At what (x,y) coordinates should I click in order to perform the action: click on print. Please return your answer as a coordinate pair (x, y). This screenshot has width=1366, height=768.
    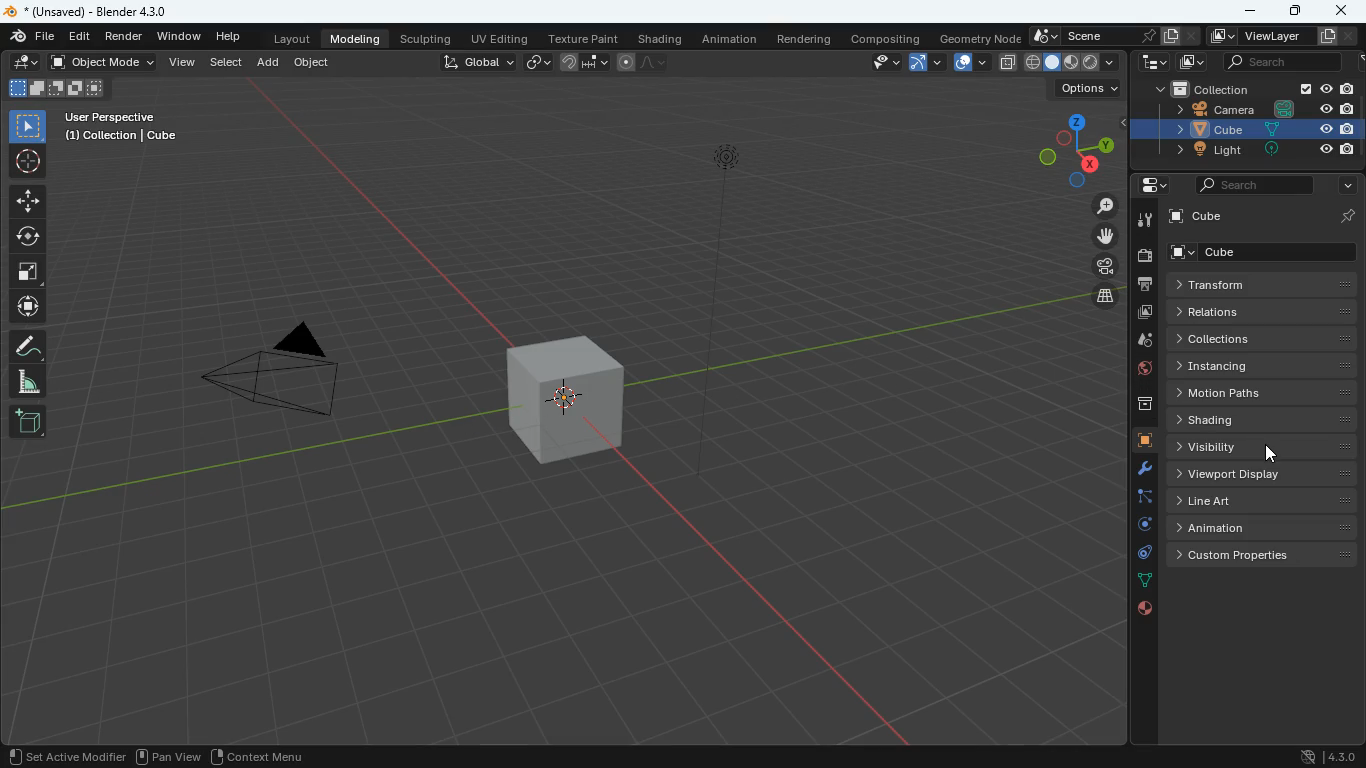
    Looking at the image, I should click on (1144, 284).